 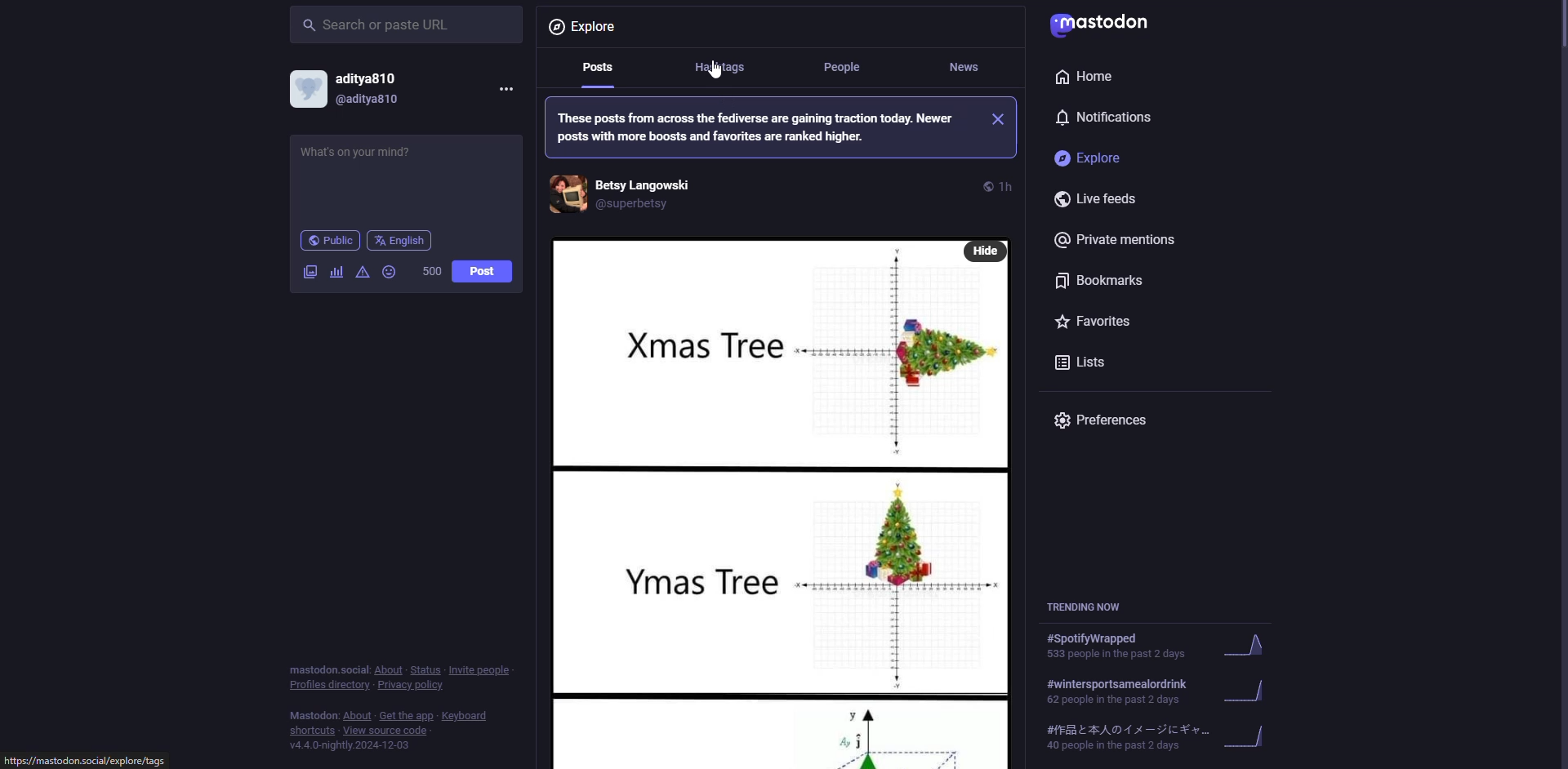 What do you see at coordinates (796, 580) in the screenshot?
I see `post` at bounding box center [796, 580].